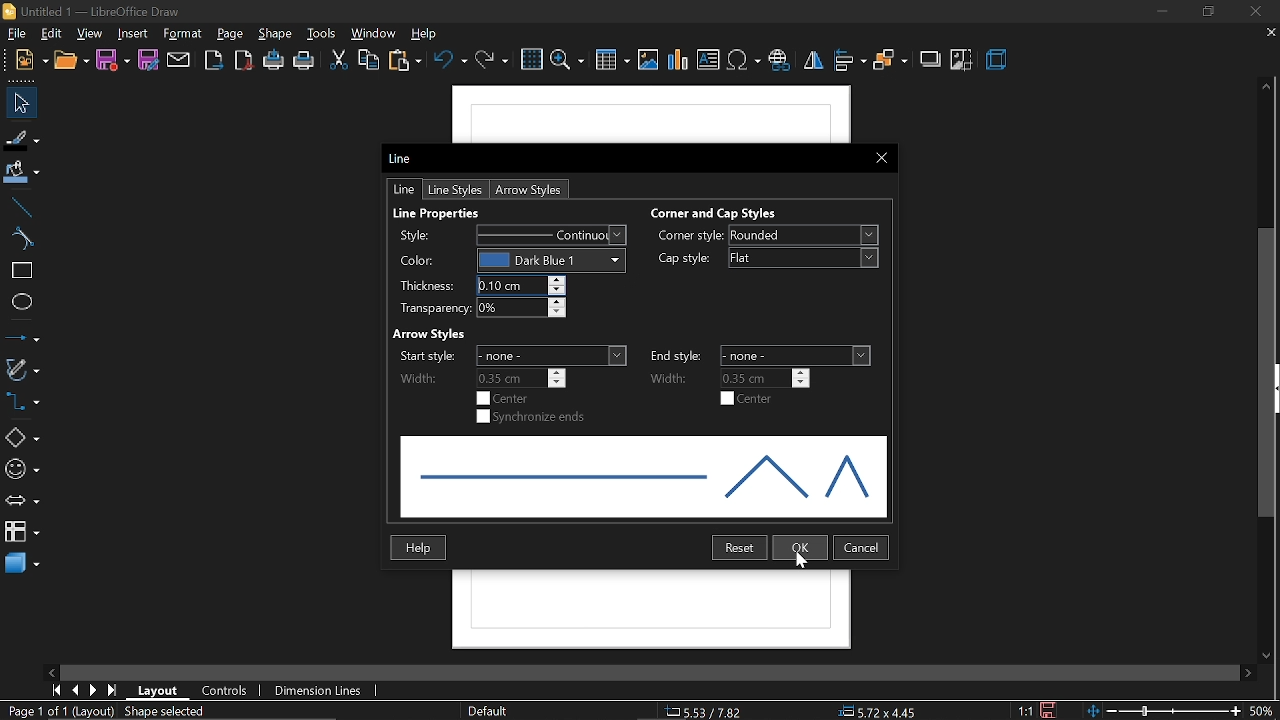  I want to click on position, so click(882, 712).